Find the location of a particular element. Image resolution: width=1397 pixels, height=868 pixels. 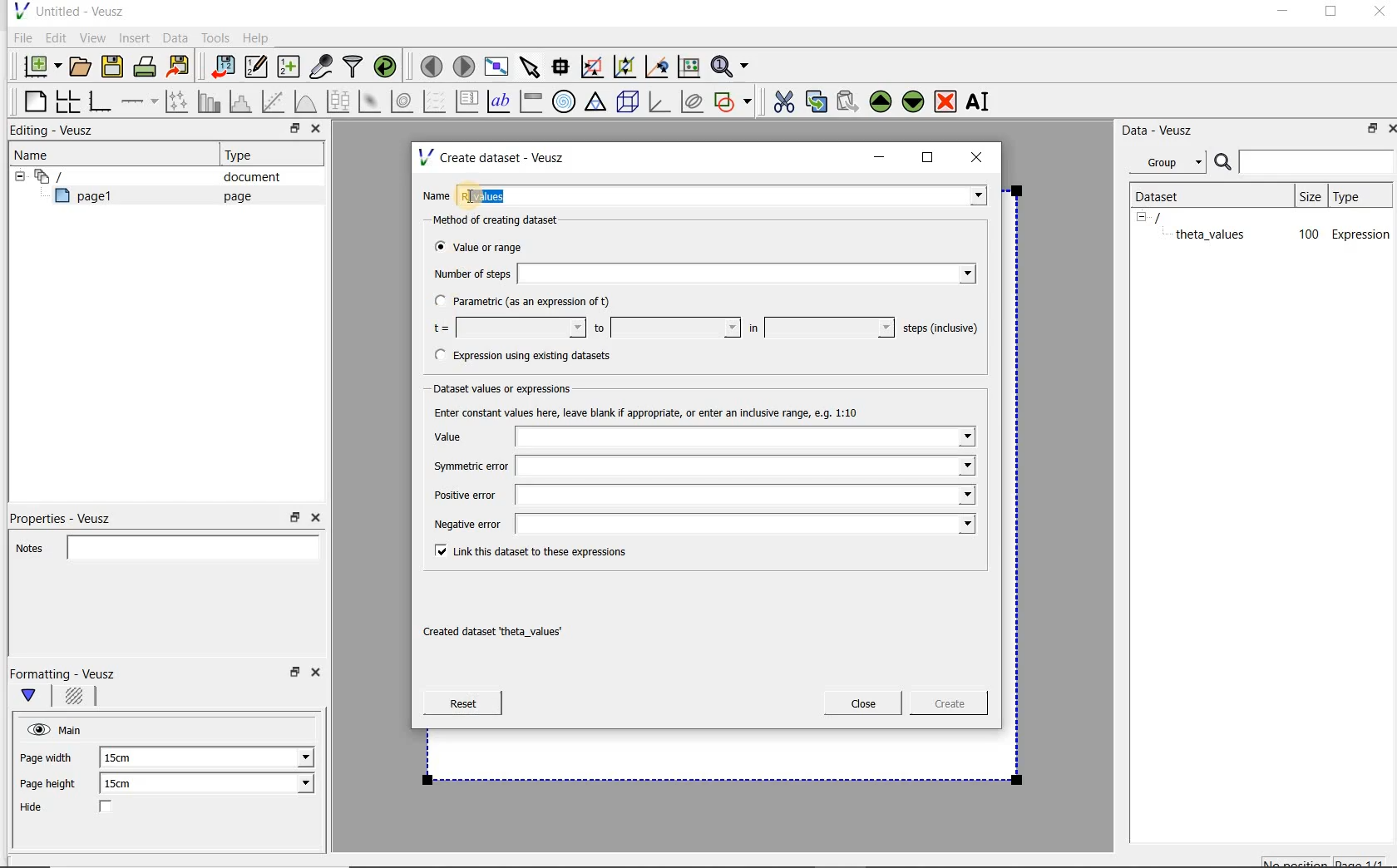

click or draw a rectangle to zoom graph axes is located at coordinates (595, 67).